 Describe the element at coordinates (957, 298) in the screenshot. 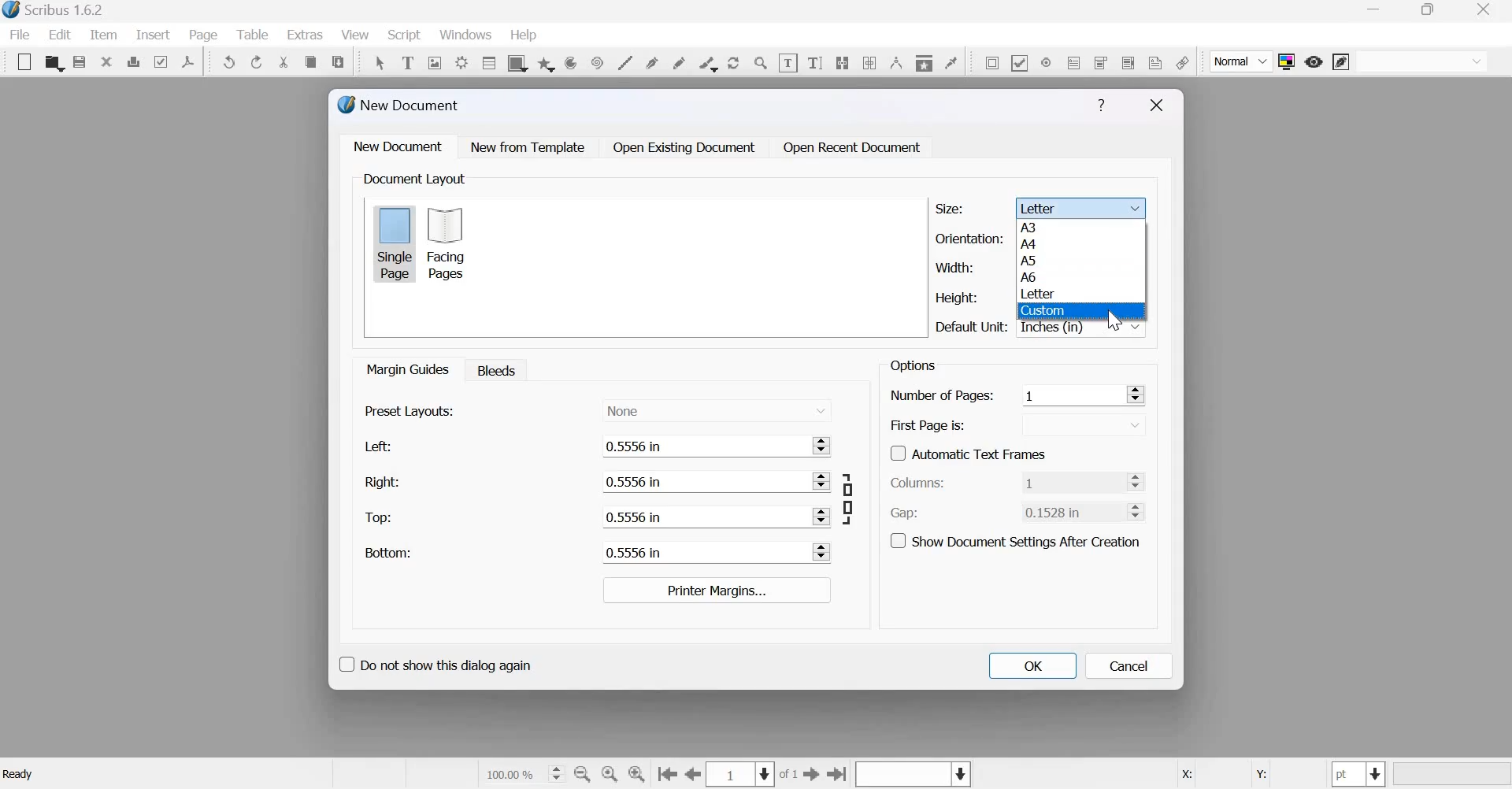

I see `Height:` at that location.